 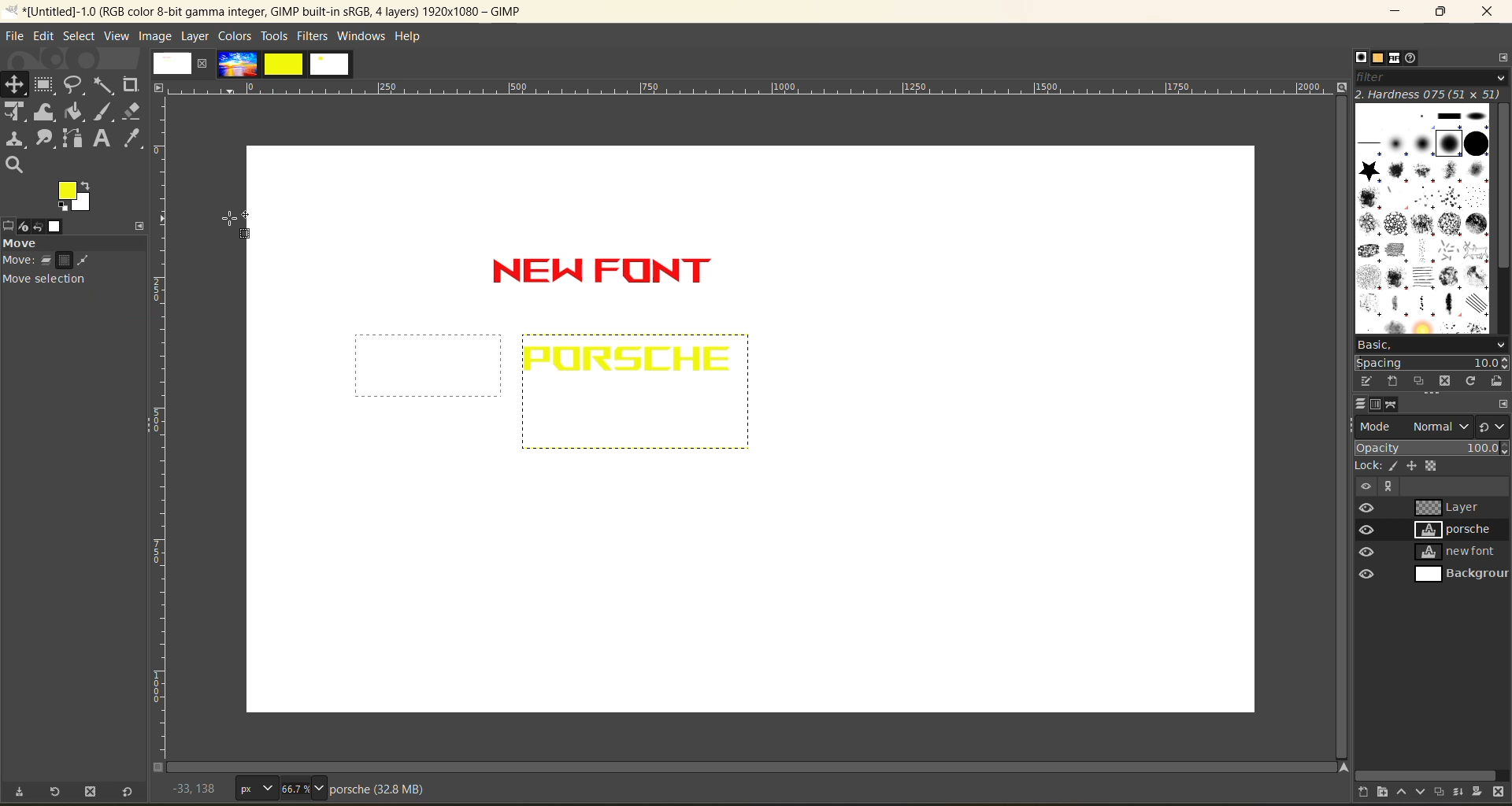 What do you see at coordinates (1363, 486) in the screenshot?
I see `` at bounding box center [1363, 486].